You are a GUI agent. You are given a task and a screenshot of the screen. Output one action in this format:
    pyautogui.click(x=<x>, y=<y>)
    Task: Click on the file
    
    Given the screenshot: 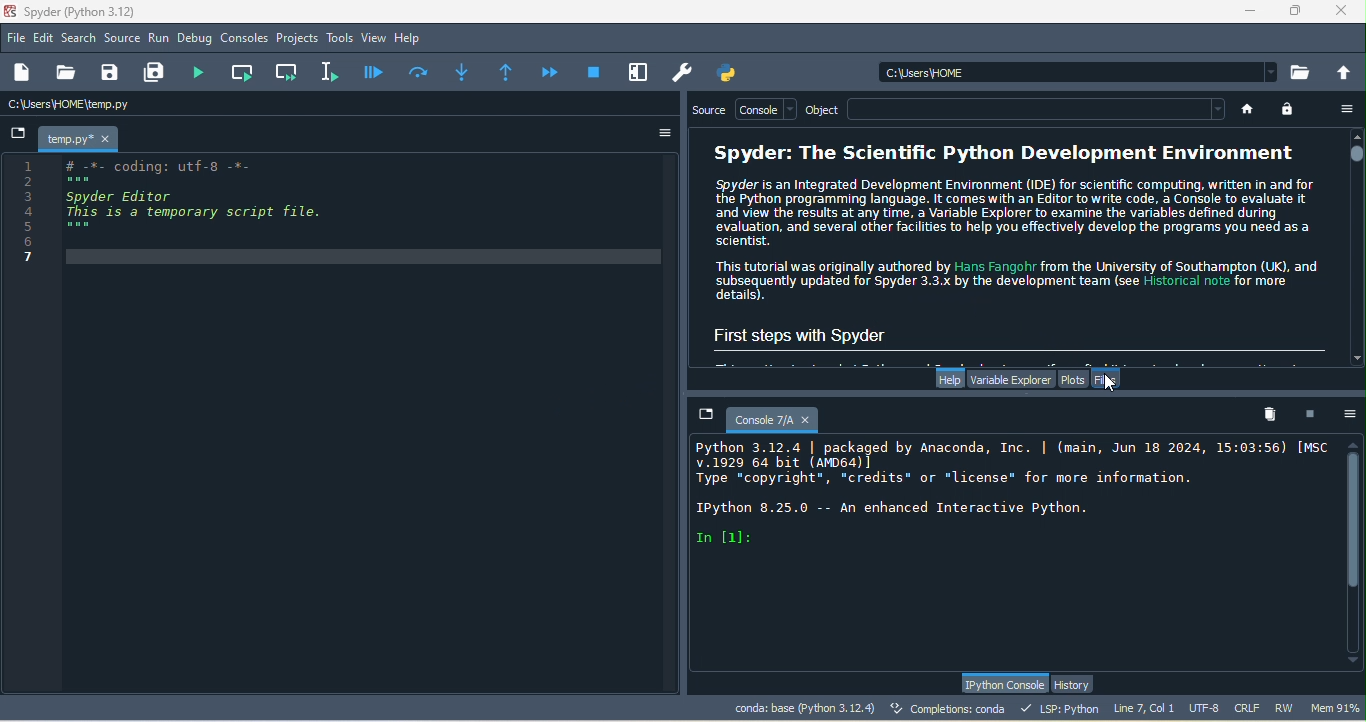 What is the action you would take?
    pyautogui.click(x=1112, y=379)
    